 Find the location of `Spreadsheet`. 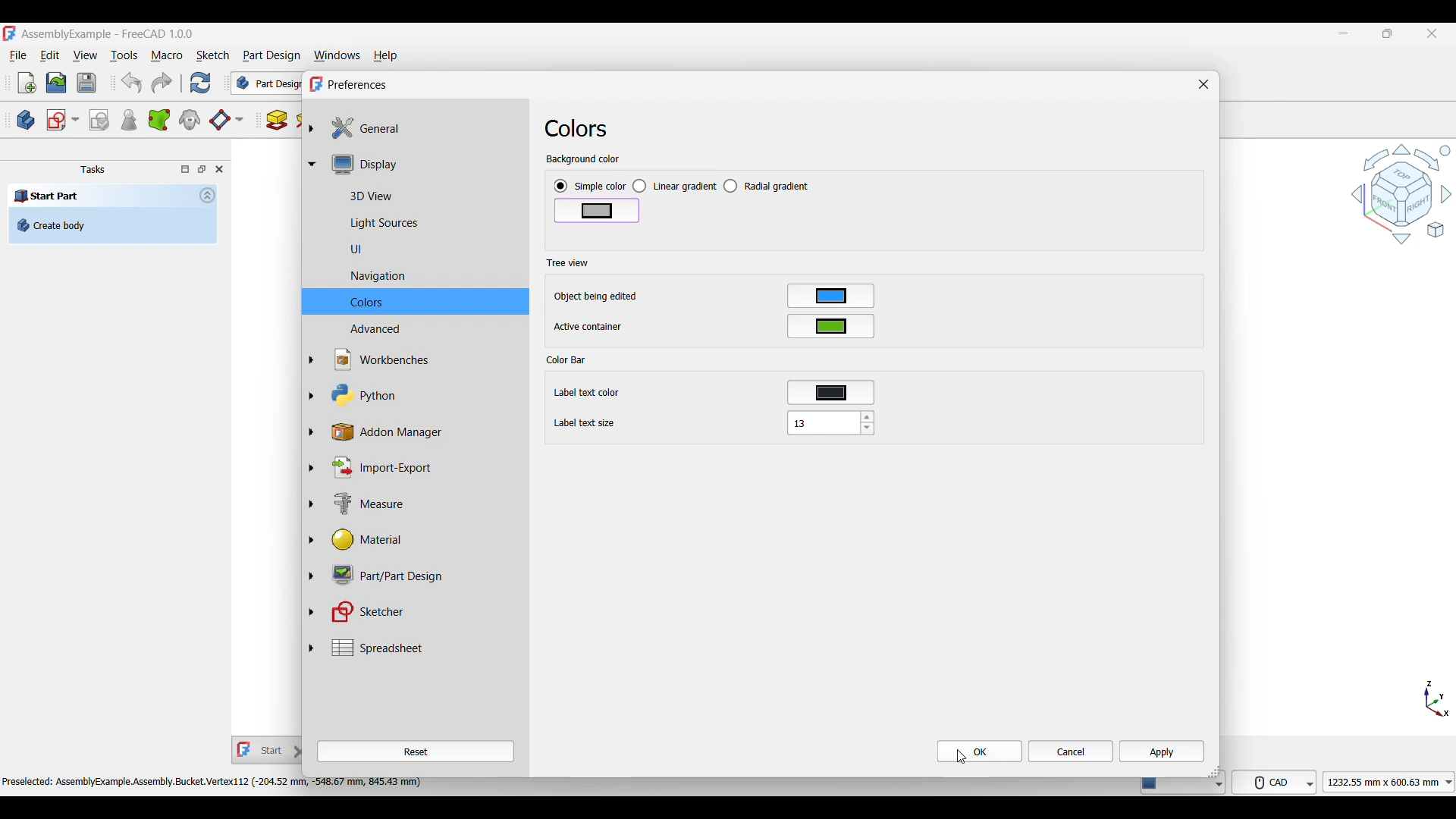

Spreadsheet is located at coordinates (424, 648).